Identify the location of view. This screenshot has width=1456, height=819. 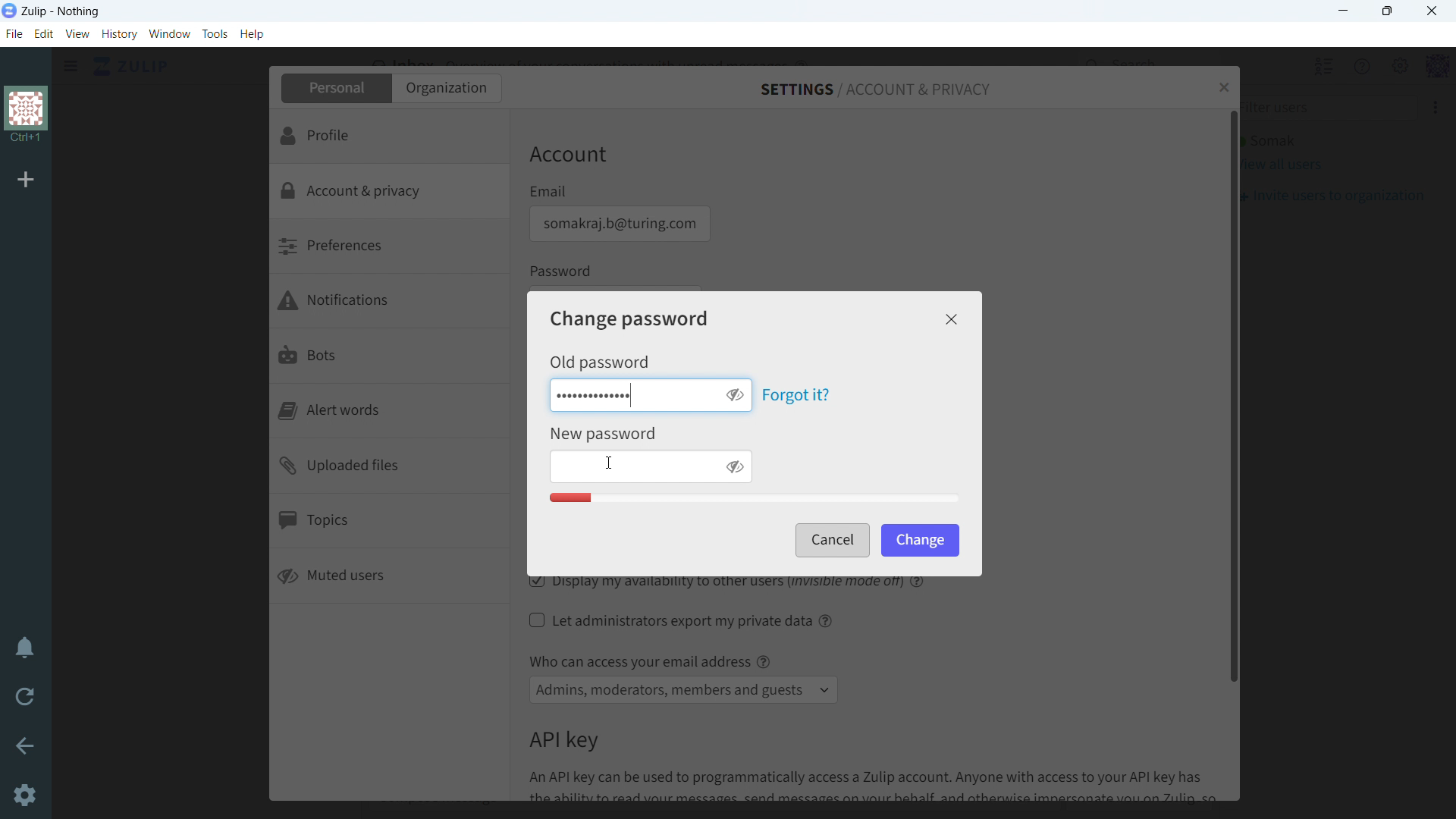
(78, 33).